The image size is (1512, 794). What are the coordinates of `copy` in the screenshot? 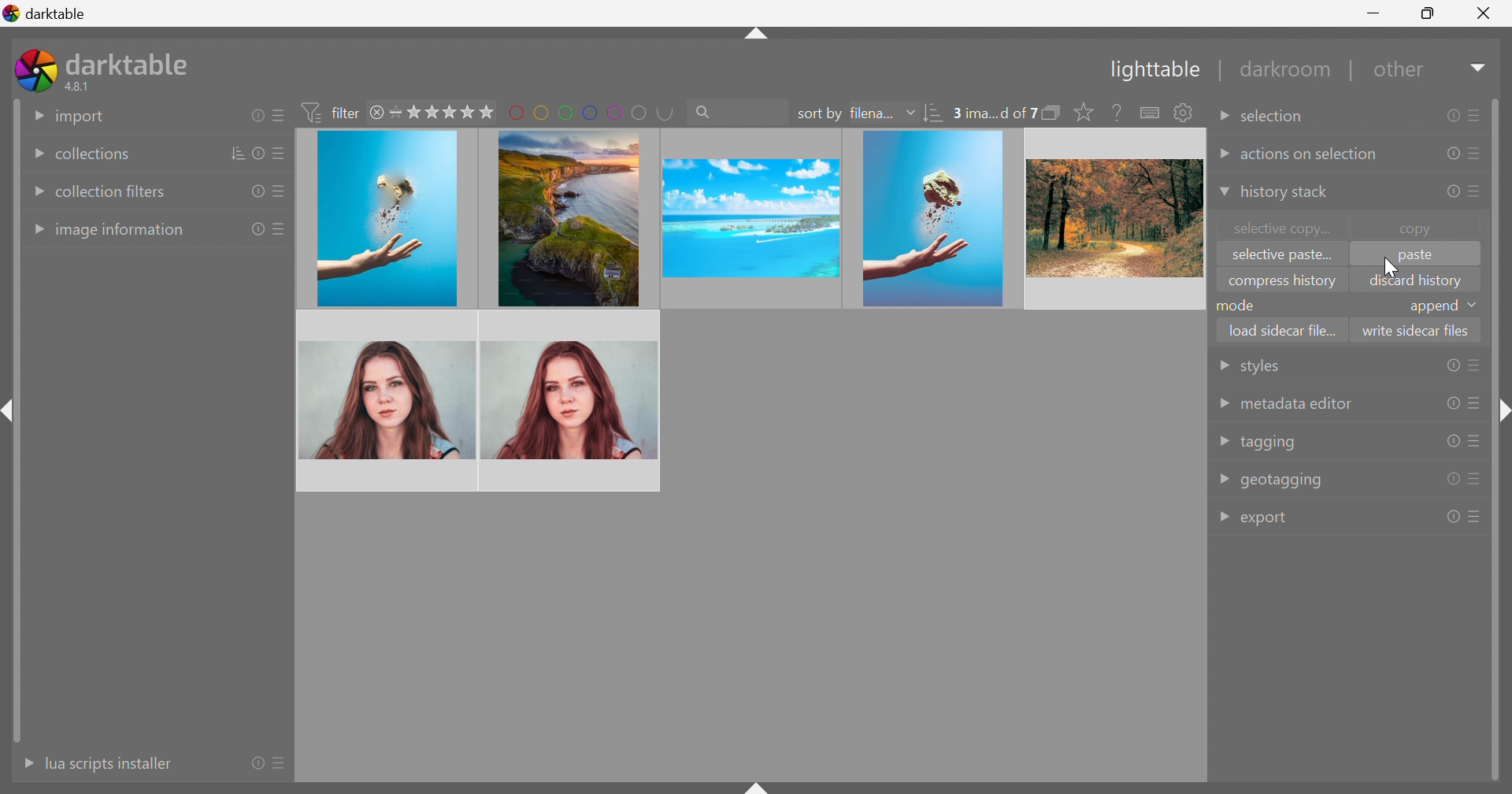 It's located at (1423, 228).